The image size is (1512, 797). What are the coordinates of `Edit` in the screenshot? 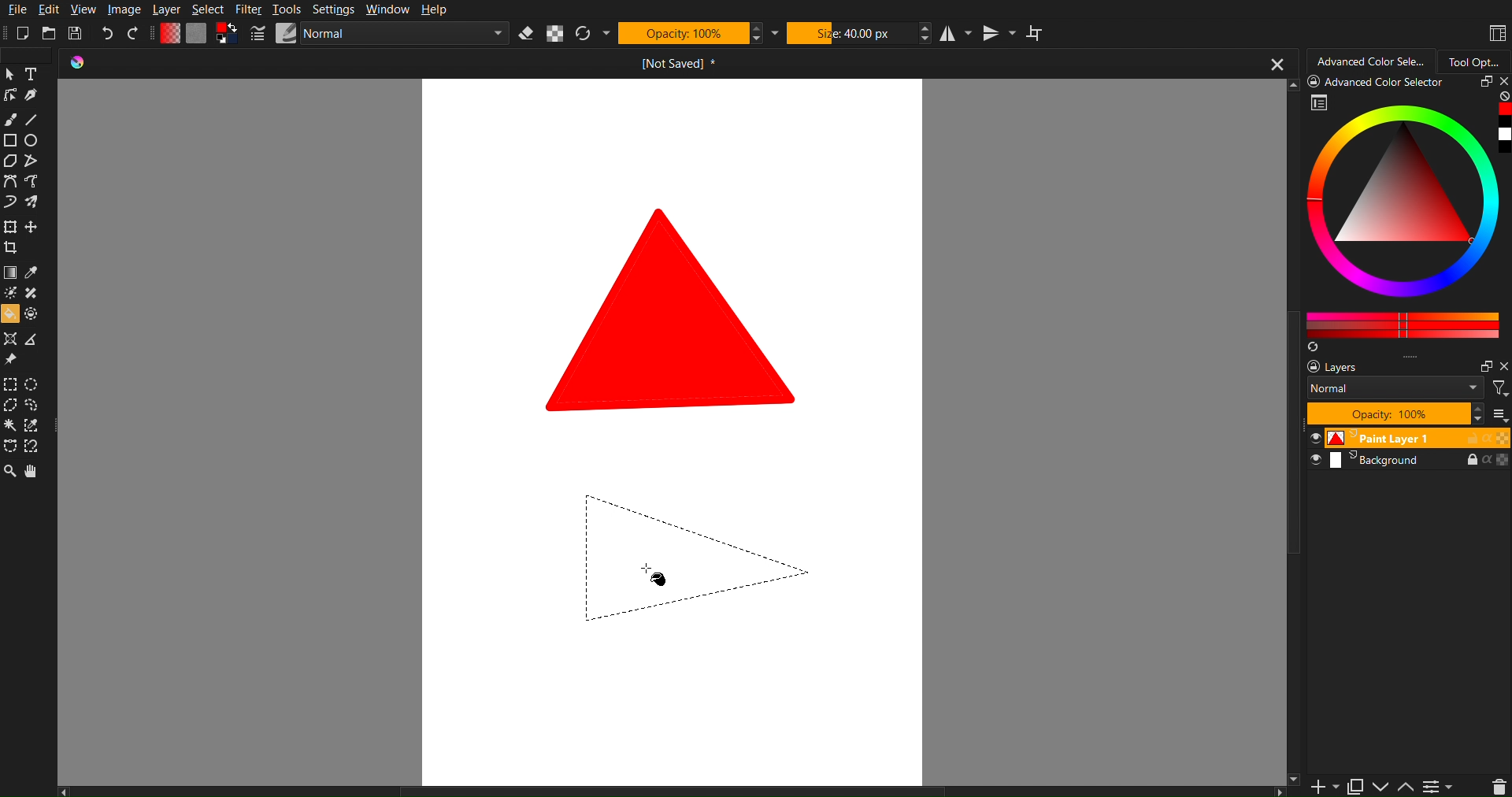 It's located at (54, 10).